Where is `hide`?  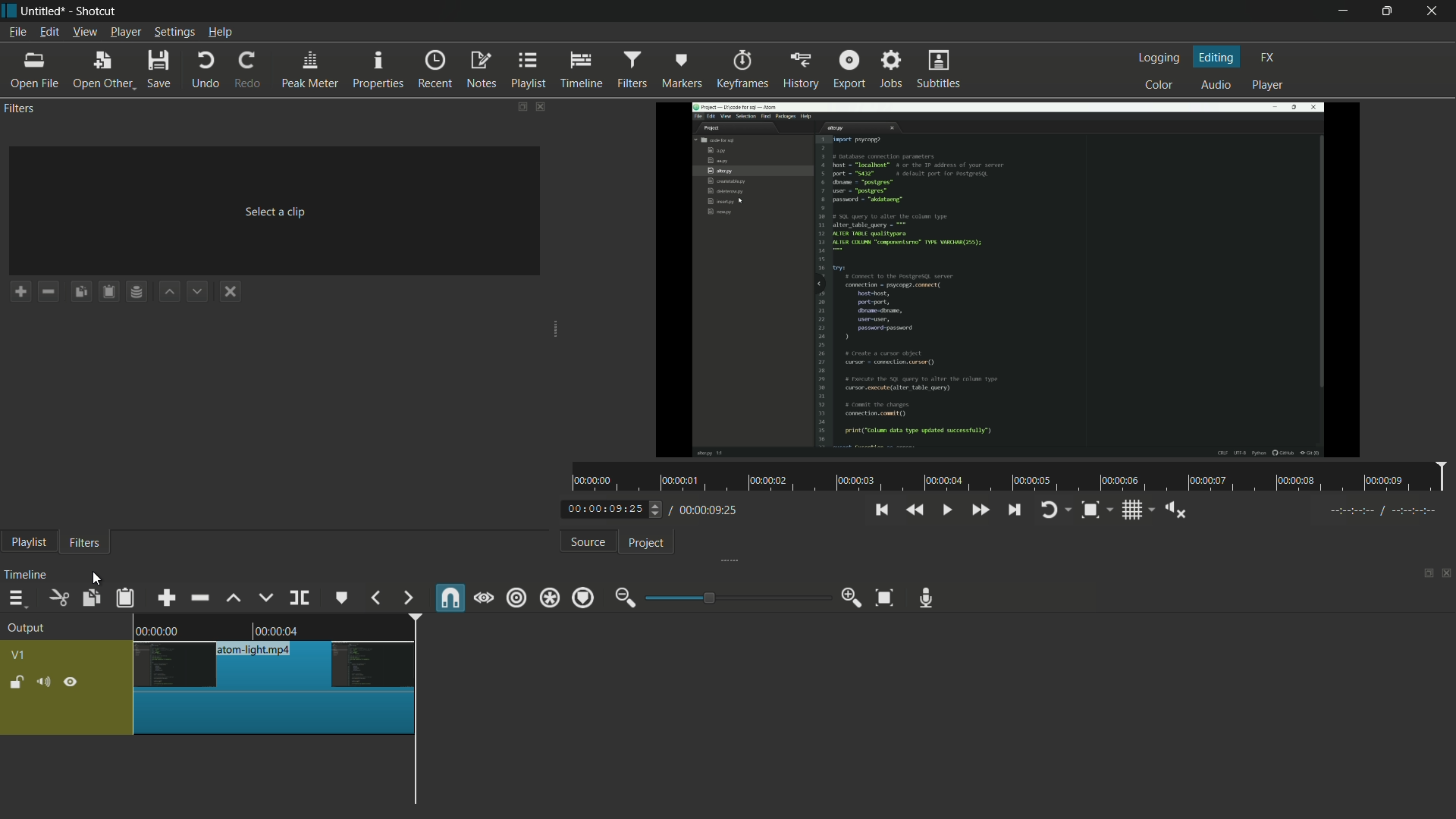 hide is located at coordinates (72, 681).